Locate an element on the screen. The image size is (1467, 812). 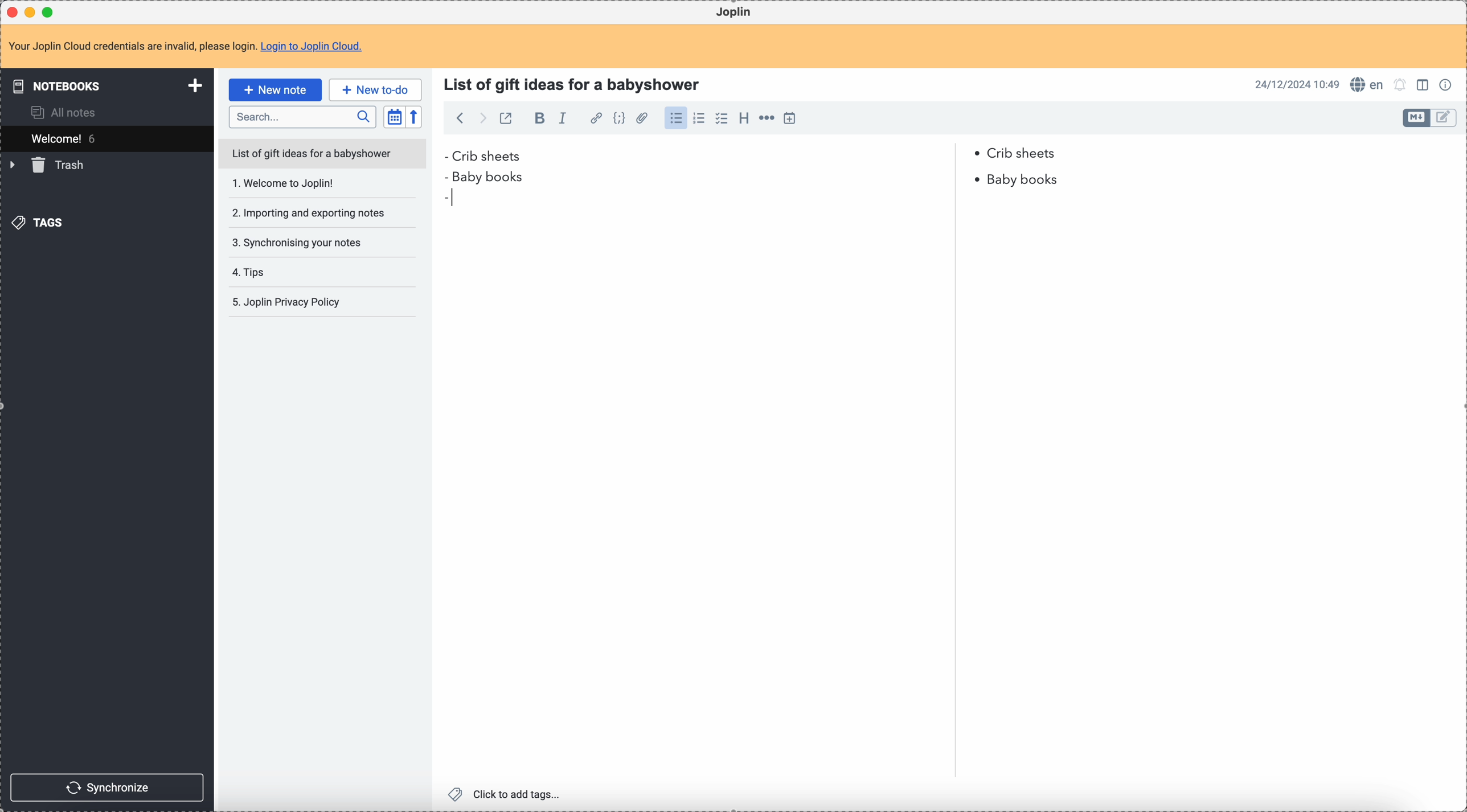
Crib sheets is located at coordinates (757, 155).